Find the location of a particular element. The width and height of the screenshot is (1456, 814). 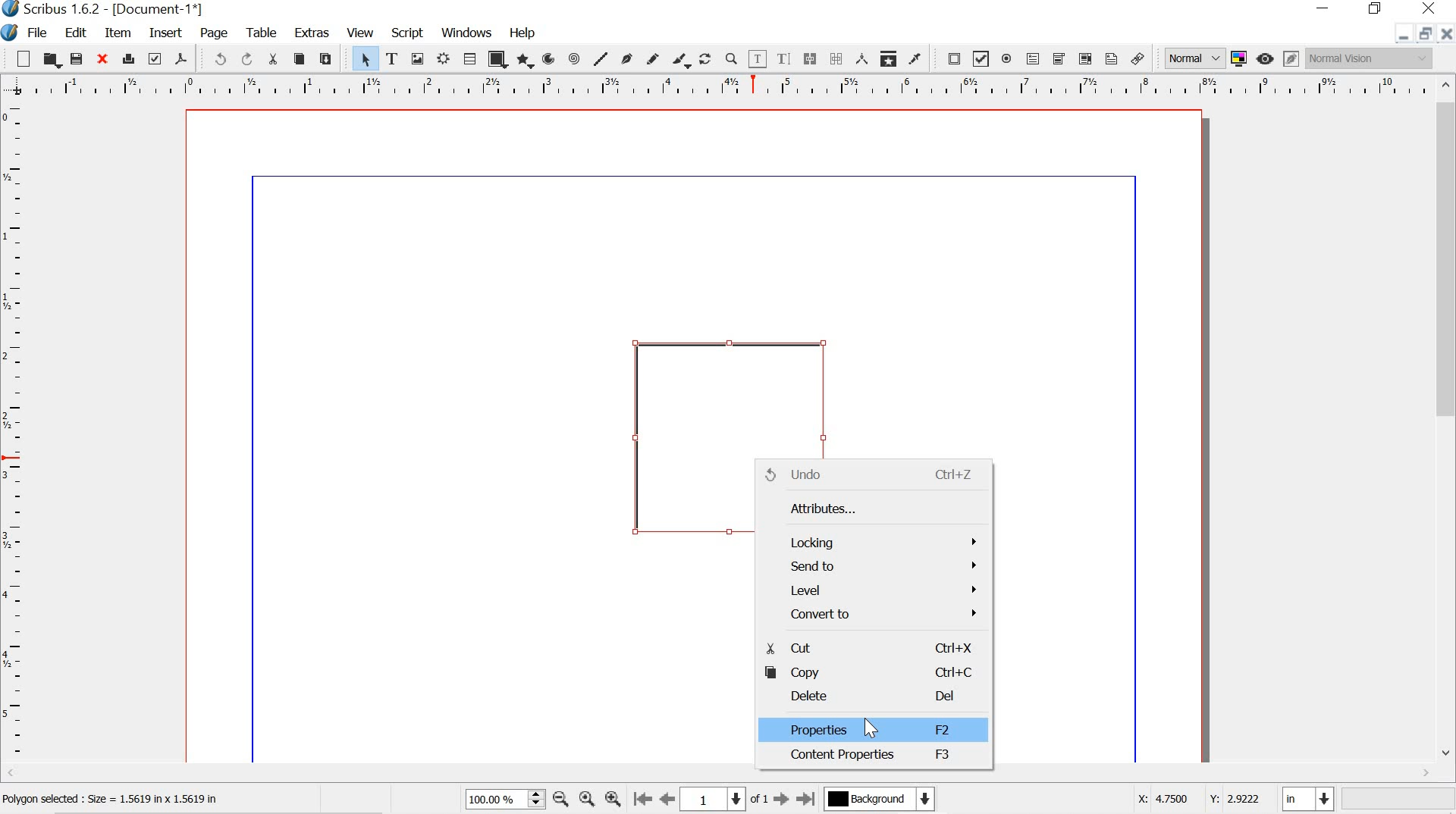

polygon selected : size = 1.5619 in x 5619 in is located at coordinates (132, 799).